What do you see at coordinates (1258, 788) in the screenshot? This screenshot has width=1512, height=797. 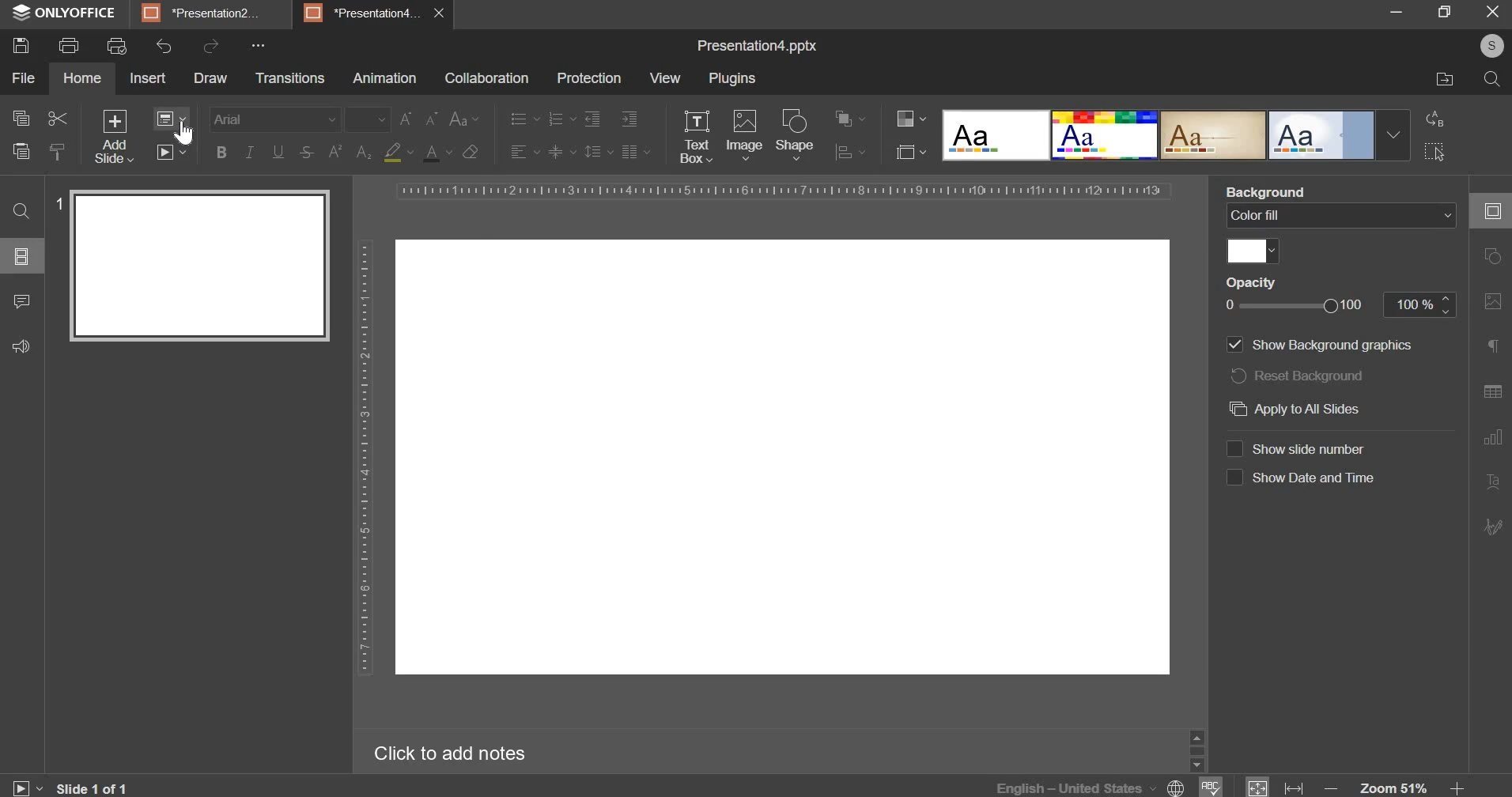 I see `fit to window` at bounding box center [1258, 788].